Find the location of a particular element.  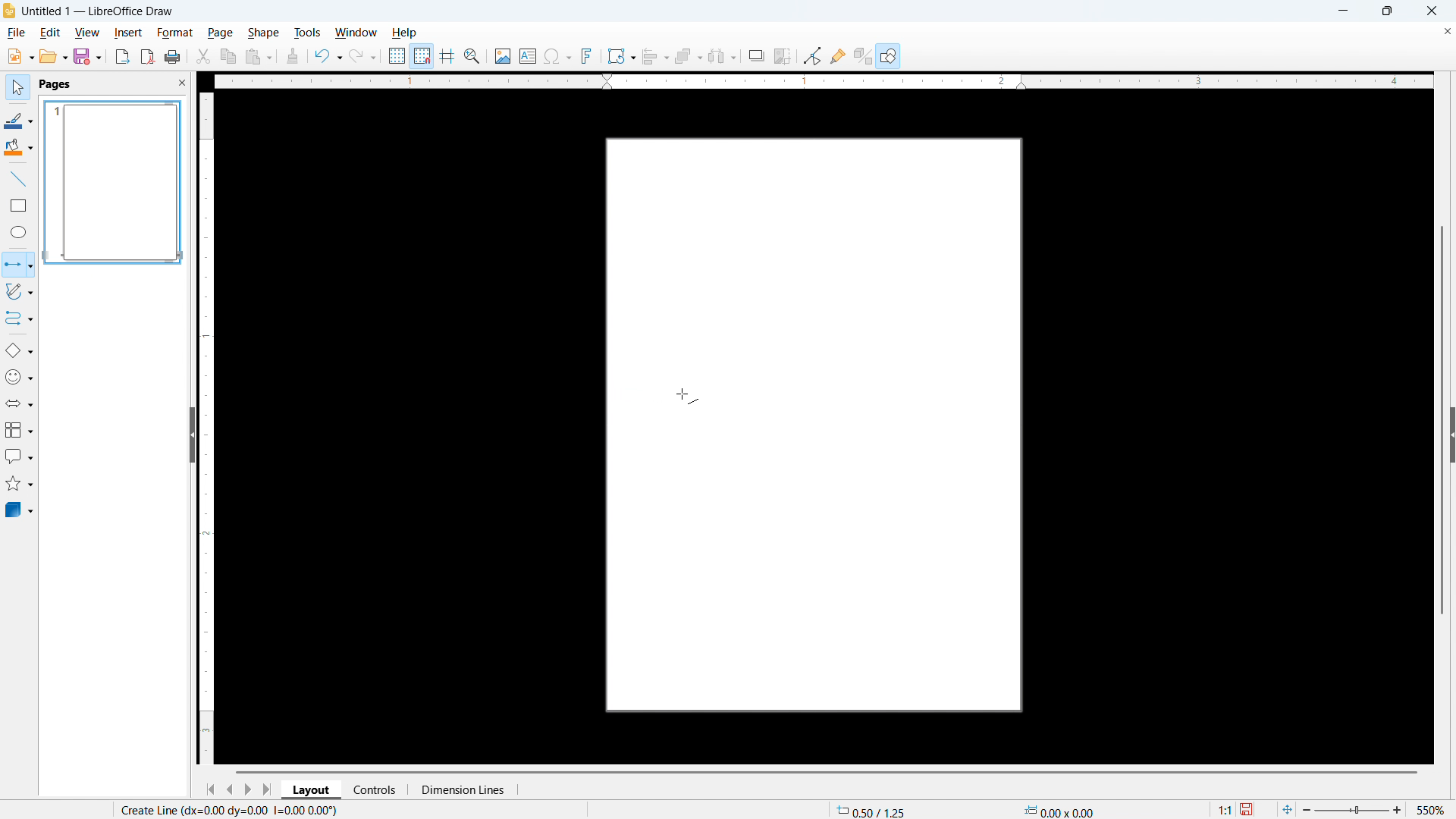

Object dimensions  is located at coordinates (1059, 810).